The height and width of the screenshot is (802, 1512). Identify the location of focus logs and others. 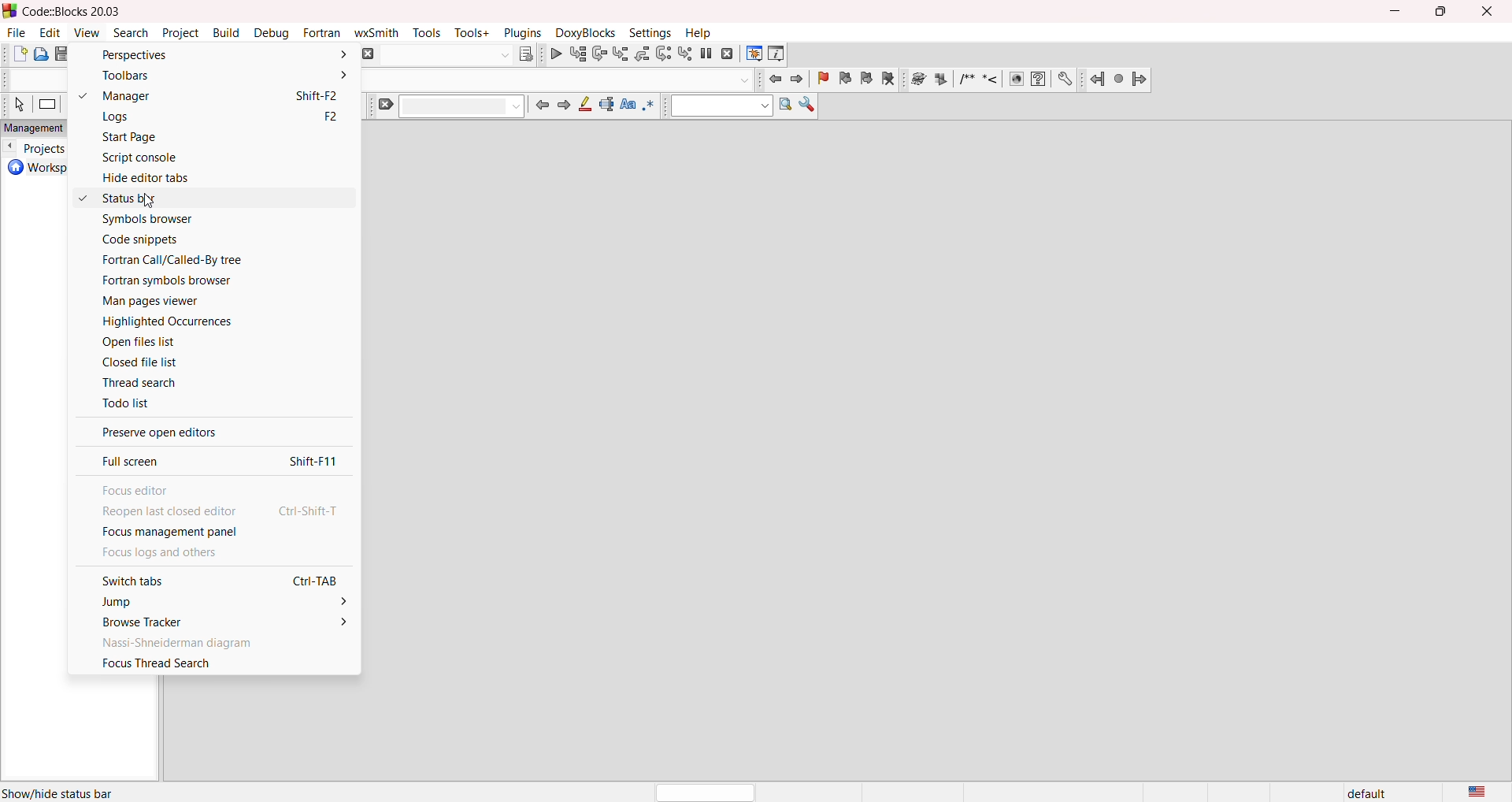
(211, 553).